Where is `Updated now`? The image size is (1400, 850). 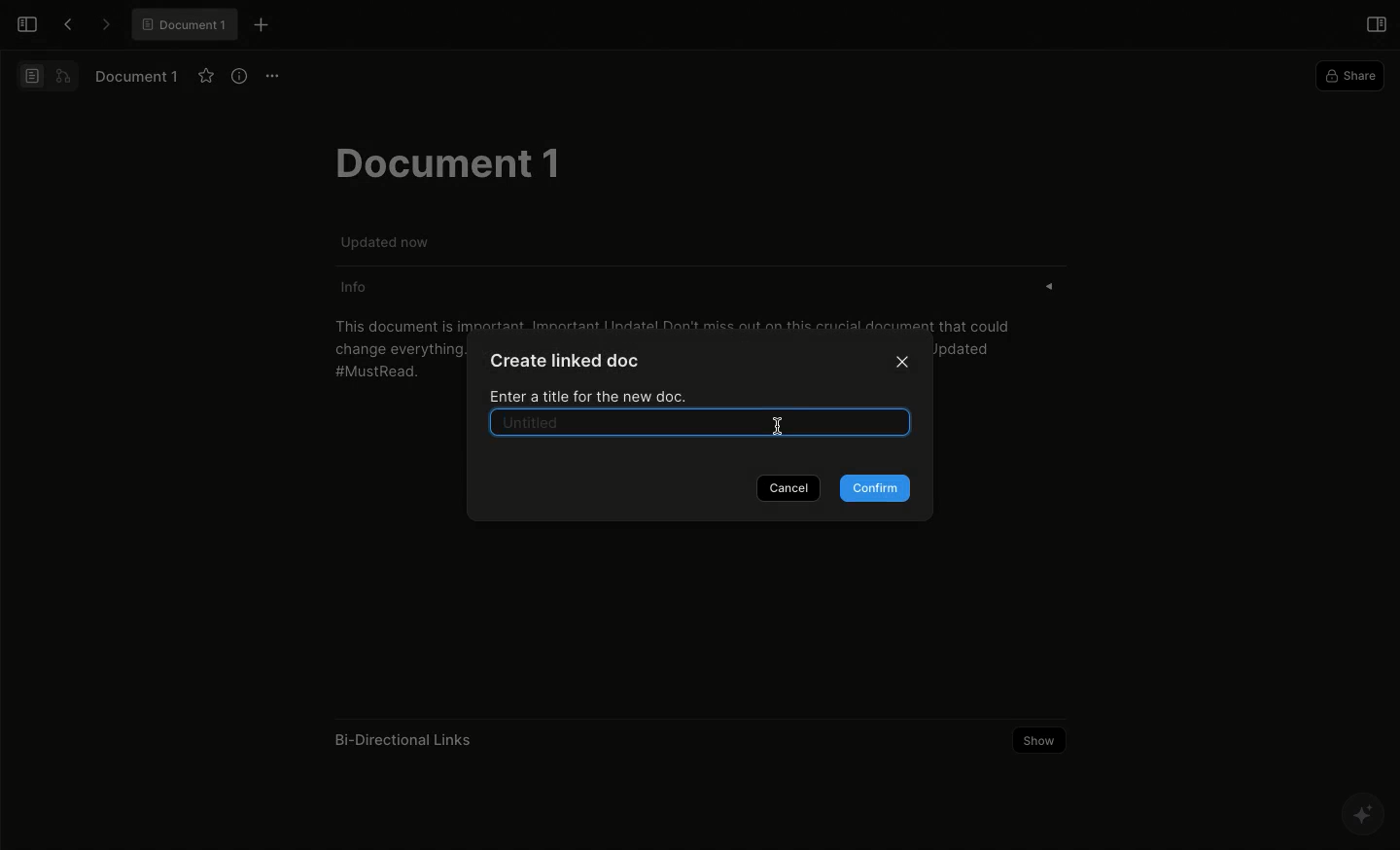
Updated now is located at coordinates (388, 241).